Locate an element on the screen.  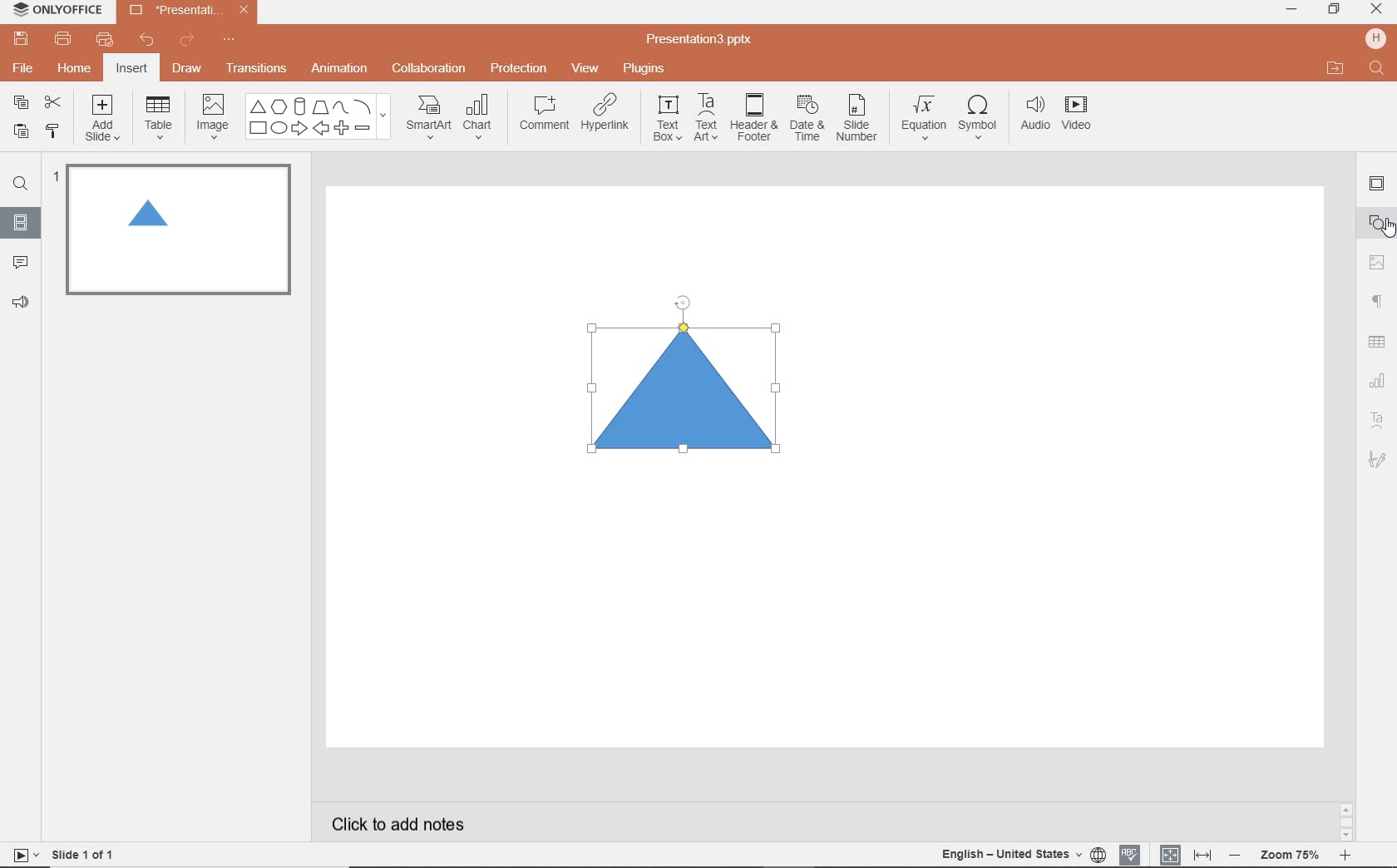
SPELL CHECKING is located at coordinates (1134, 852).